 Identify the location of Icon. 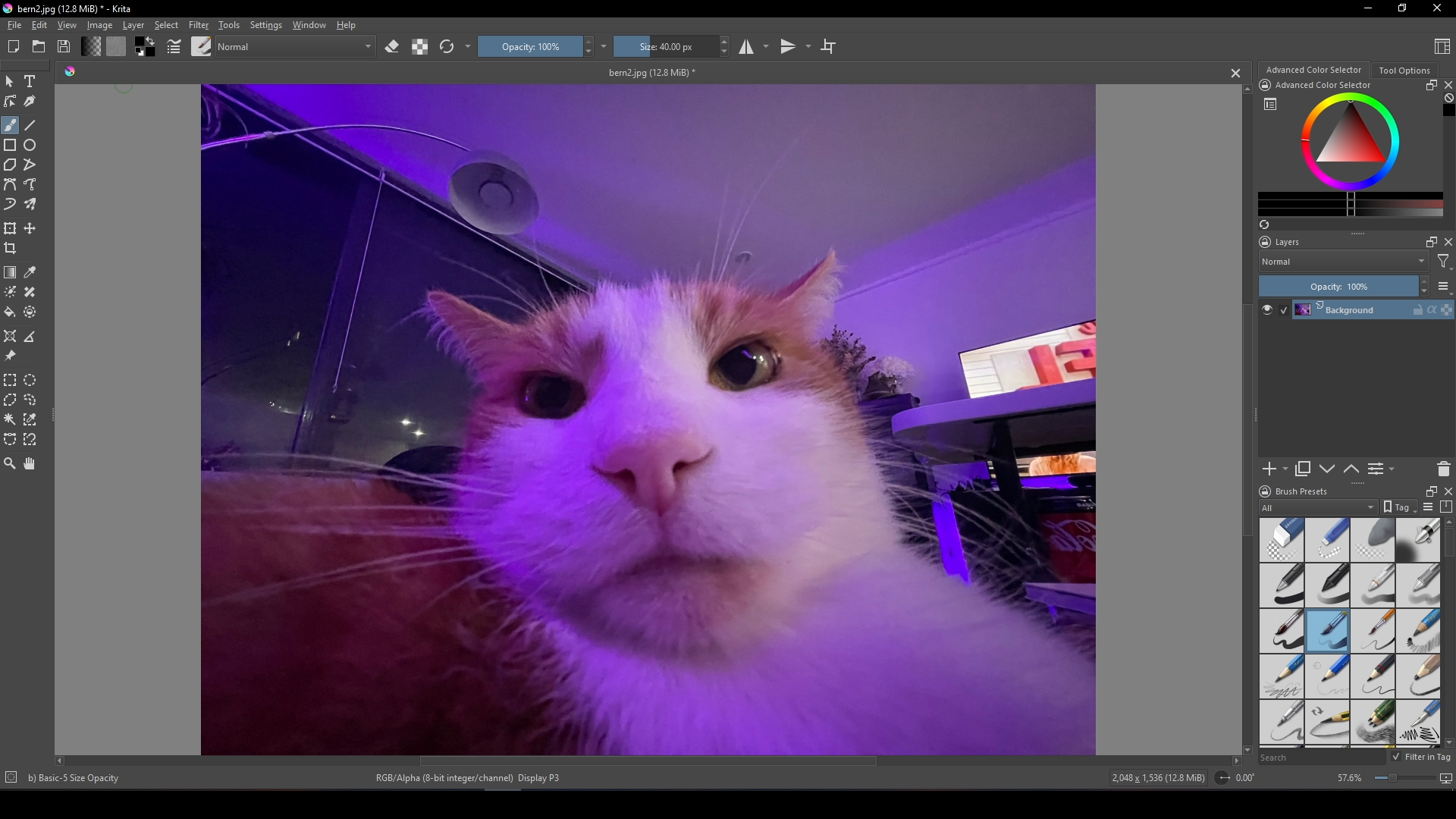
(71, 71).